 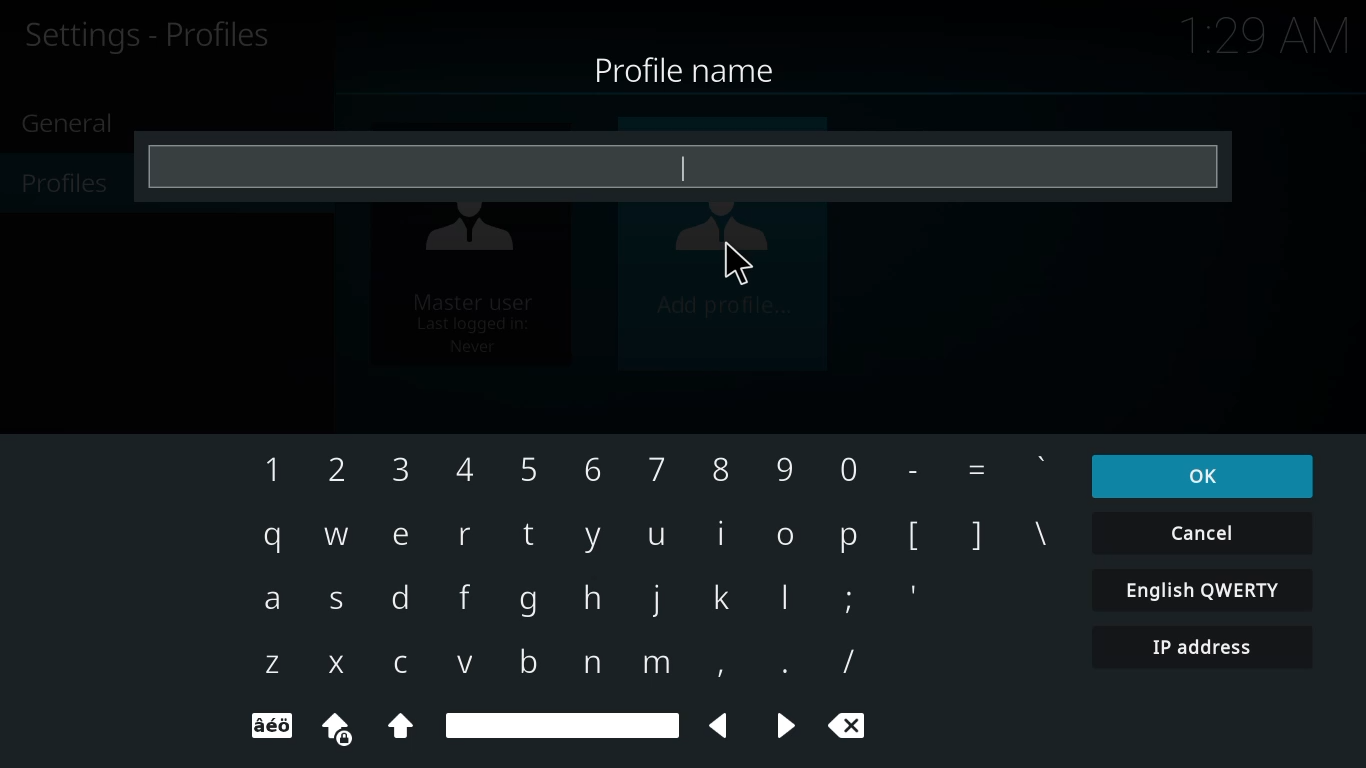 I want to click on text format, so click(x=265, y=727).